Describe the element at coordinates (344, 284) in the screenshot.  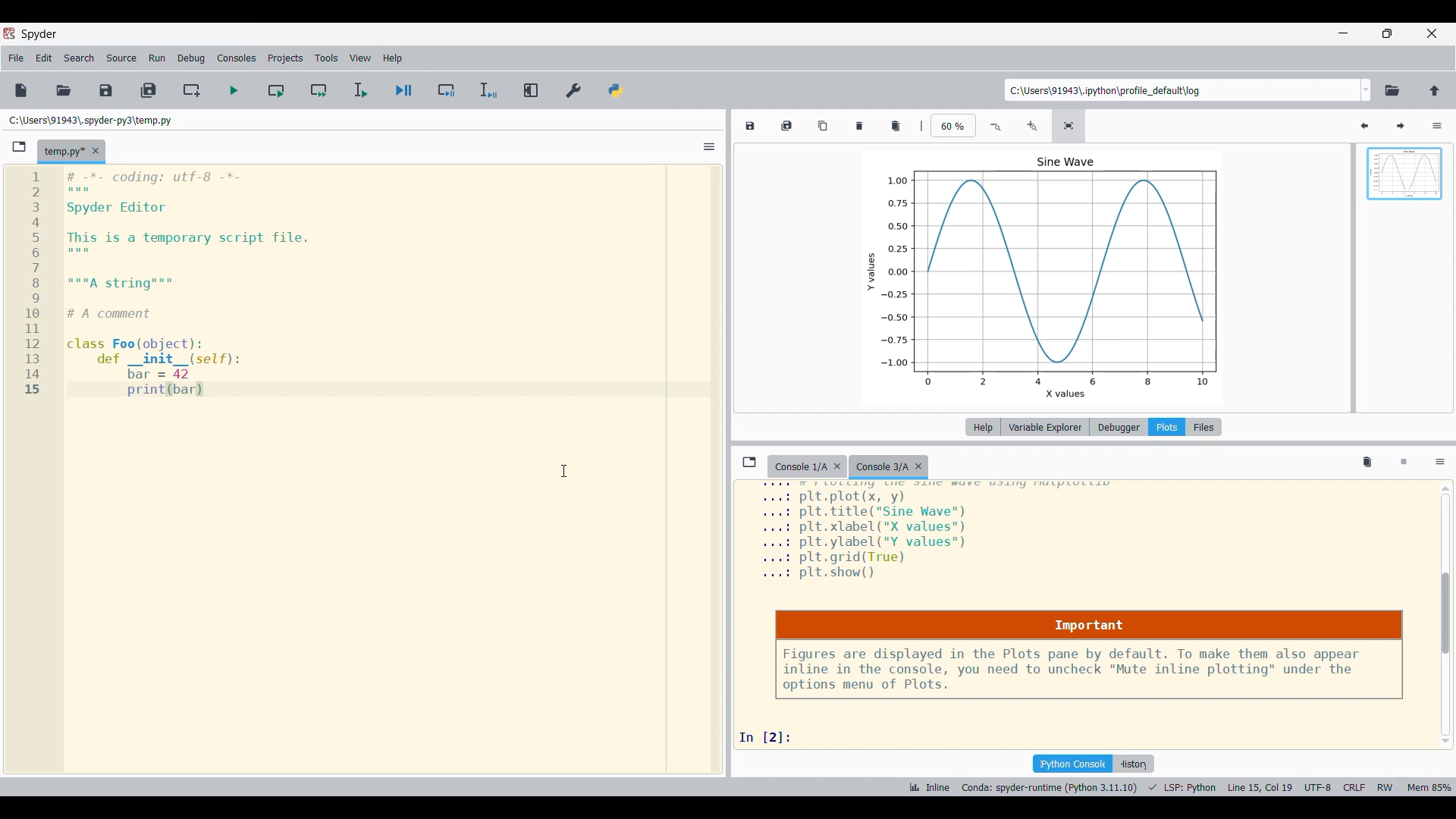
I see `editor pane` at that location.